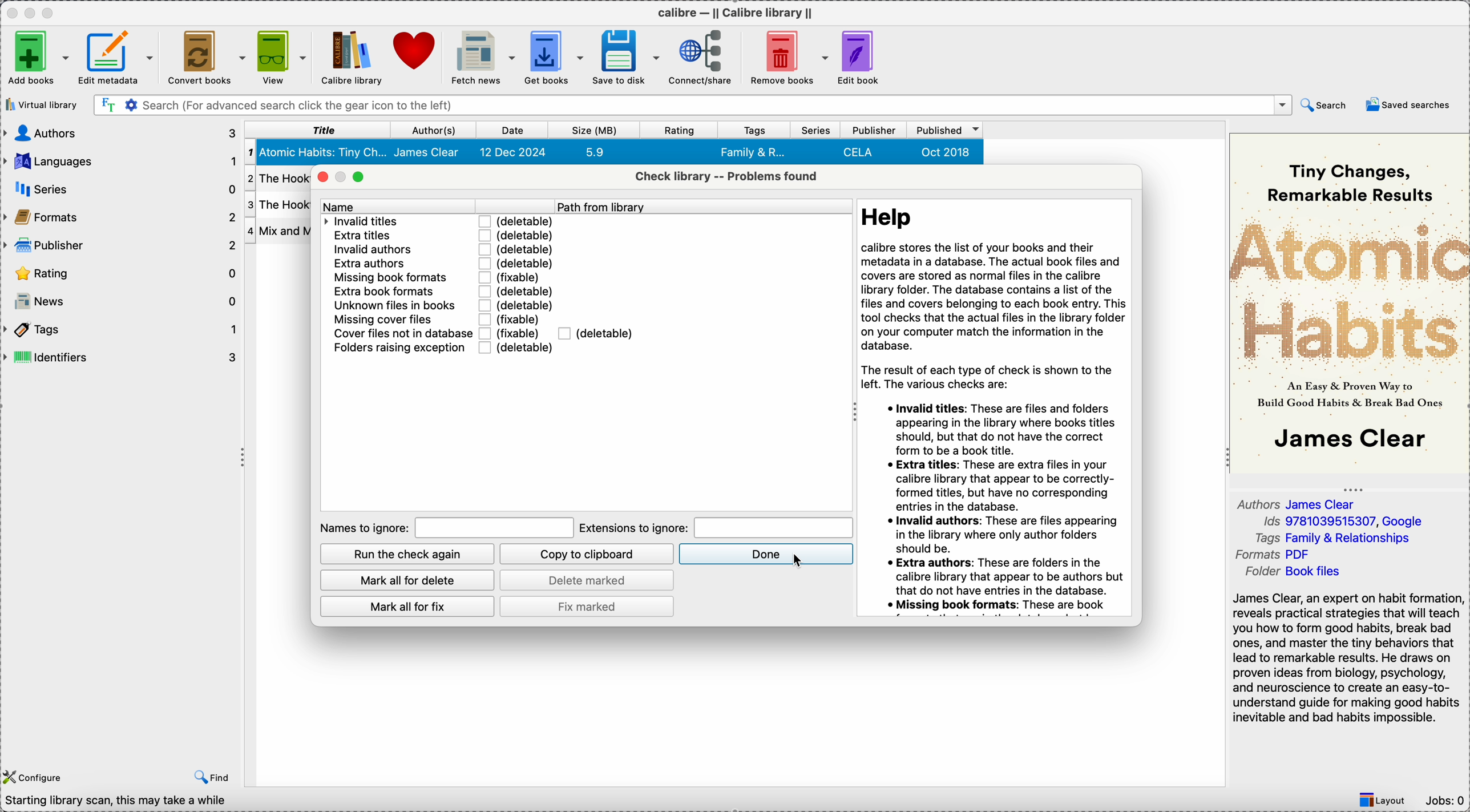 This screenshot has height=812, width=1470. Describe the element at coordinates (510, 130) in the screenshot. I see `date` at that location.